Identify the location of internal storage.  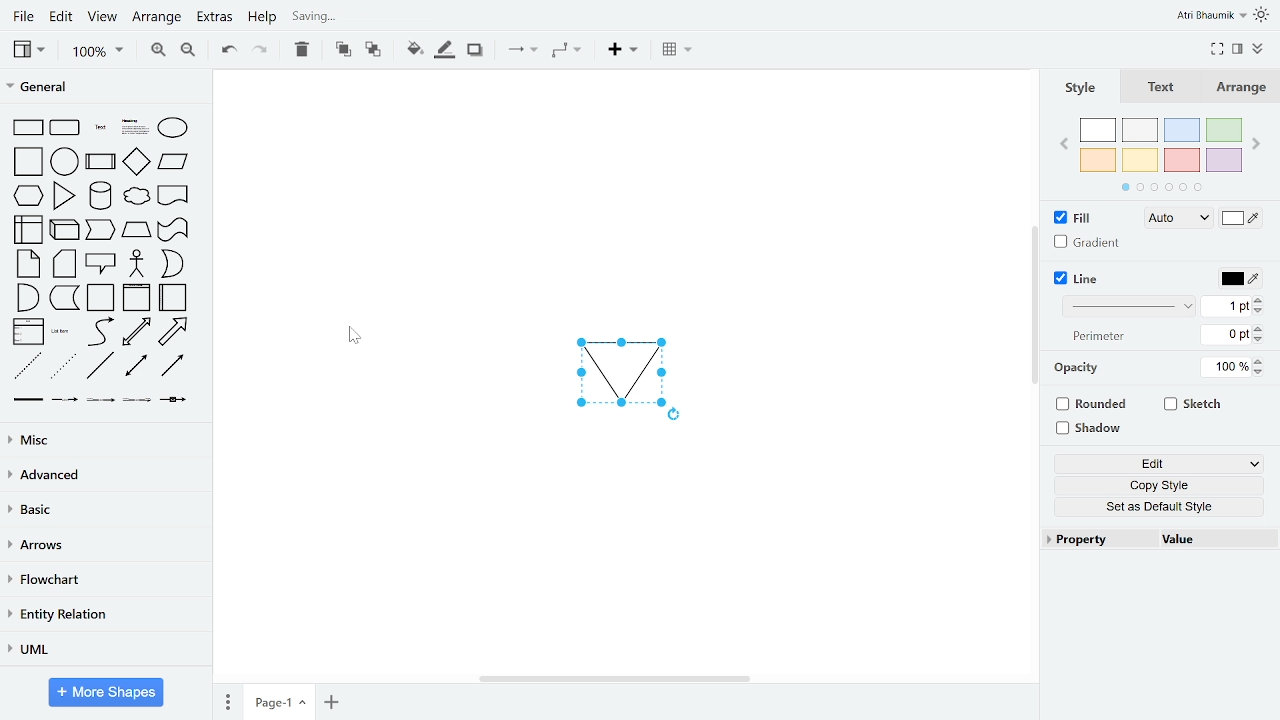
(25, 229).